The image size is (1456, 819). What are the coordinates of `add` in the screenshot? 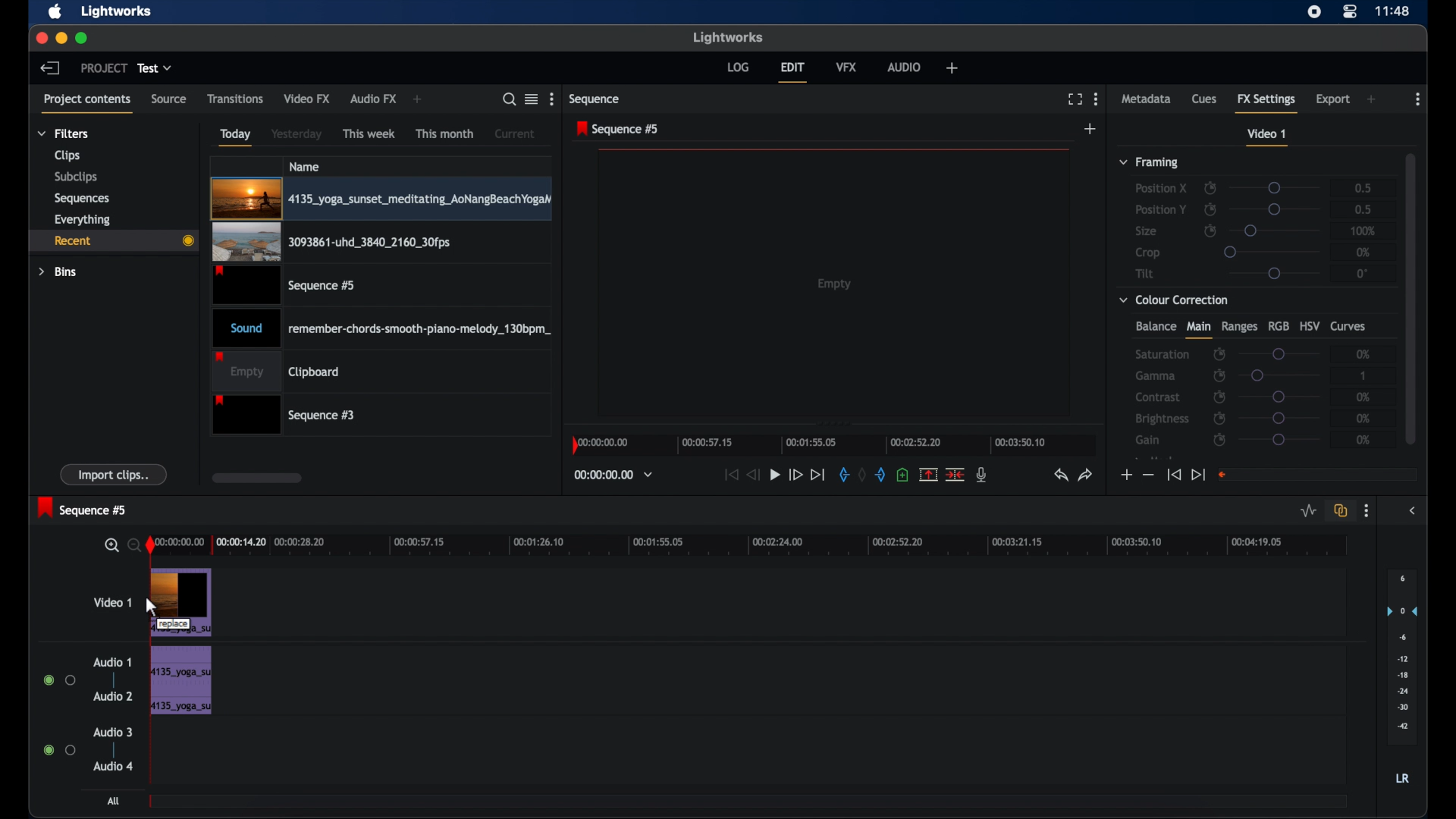 It's located at (1090, 129).